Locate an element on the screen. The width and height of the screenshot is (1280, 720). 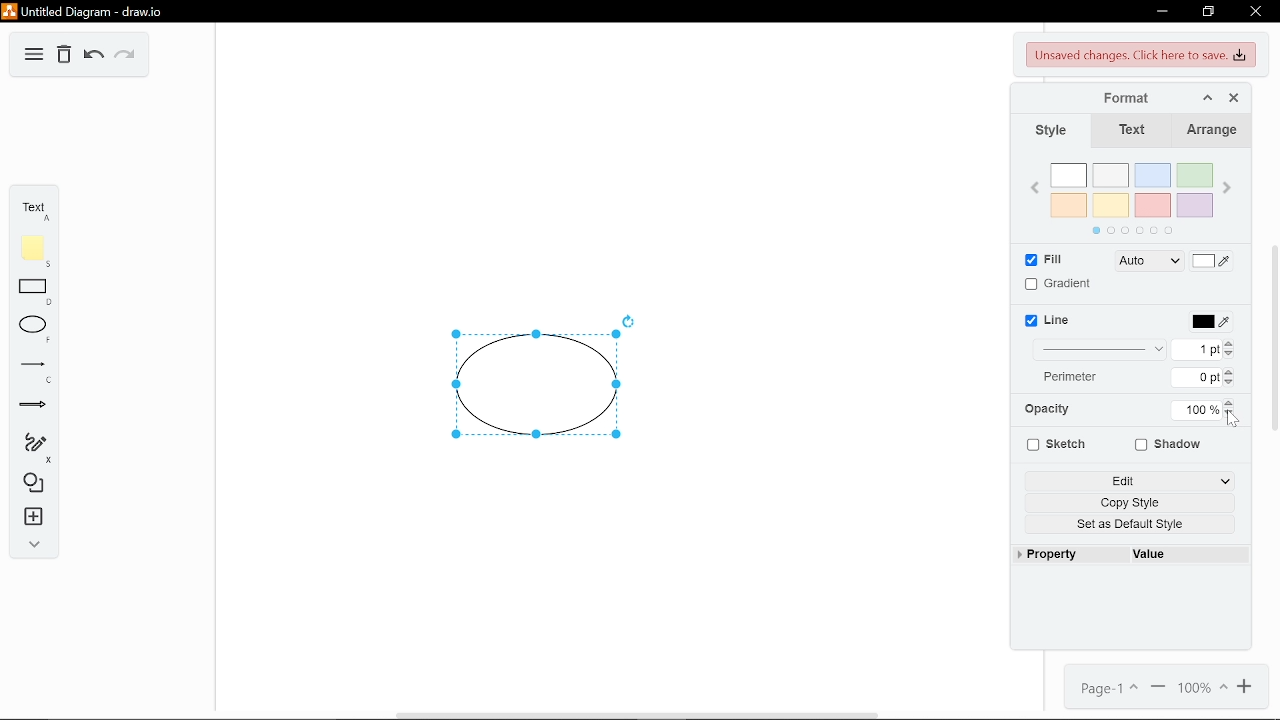
Undo is located at coordinates (94, 56).